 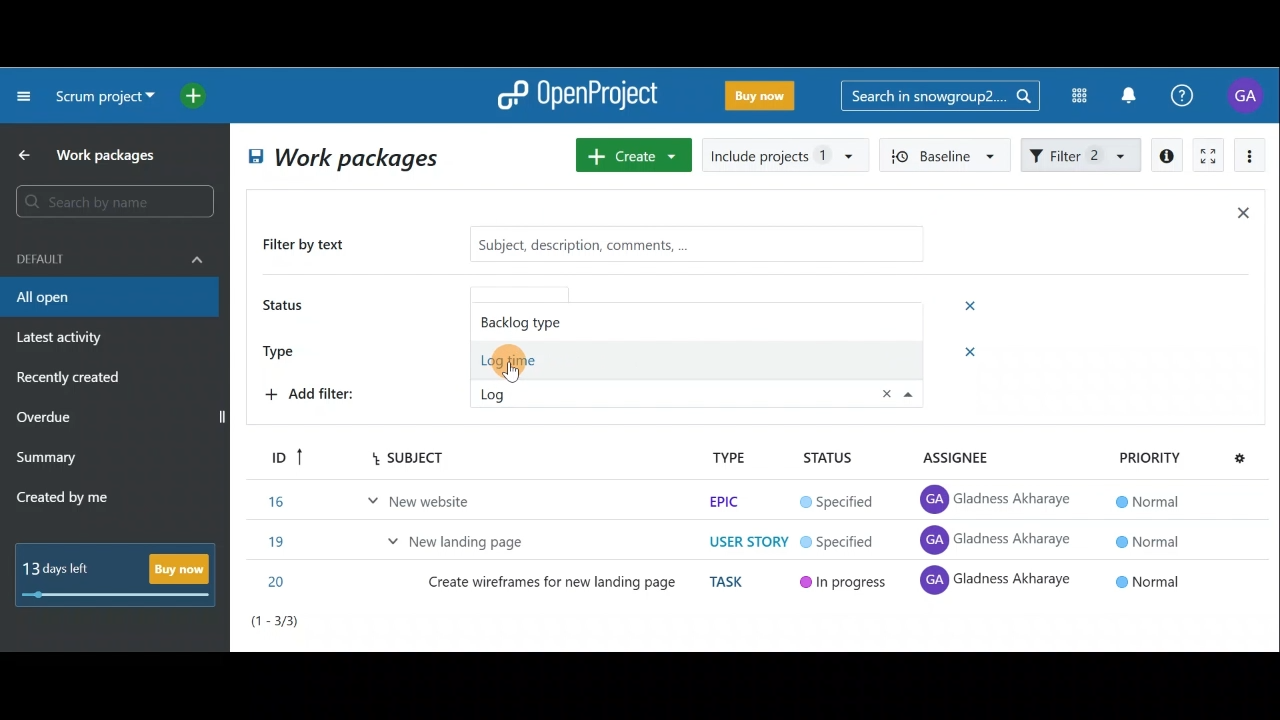 What do you see at coordinates (764, 99) in the screenshot?
I see `Buy now` at bounding box center [764, 99].